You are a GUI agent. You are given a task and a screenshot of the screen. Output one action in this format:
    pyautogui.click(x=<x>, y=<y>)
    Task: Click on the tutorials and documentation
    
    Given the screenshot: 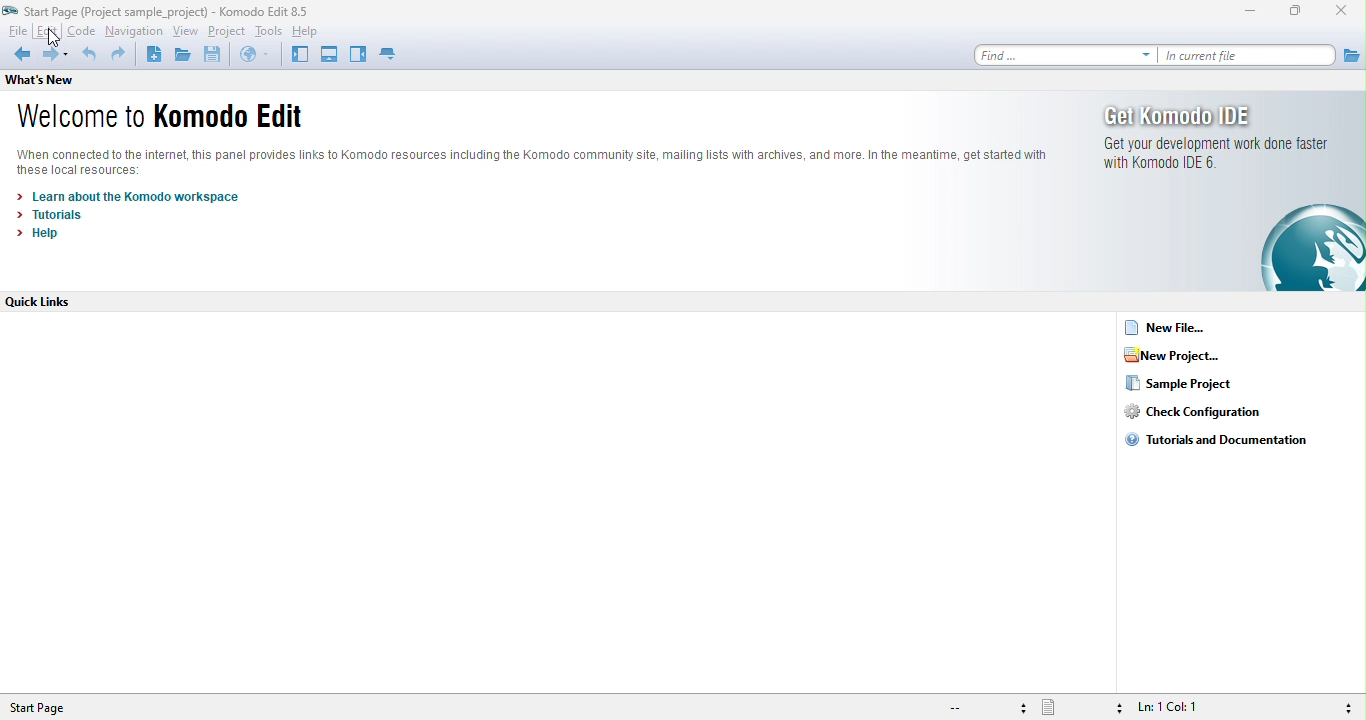 What is the action you would take?
    pyautogui.click(x=1228, y=439)
    